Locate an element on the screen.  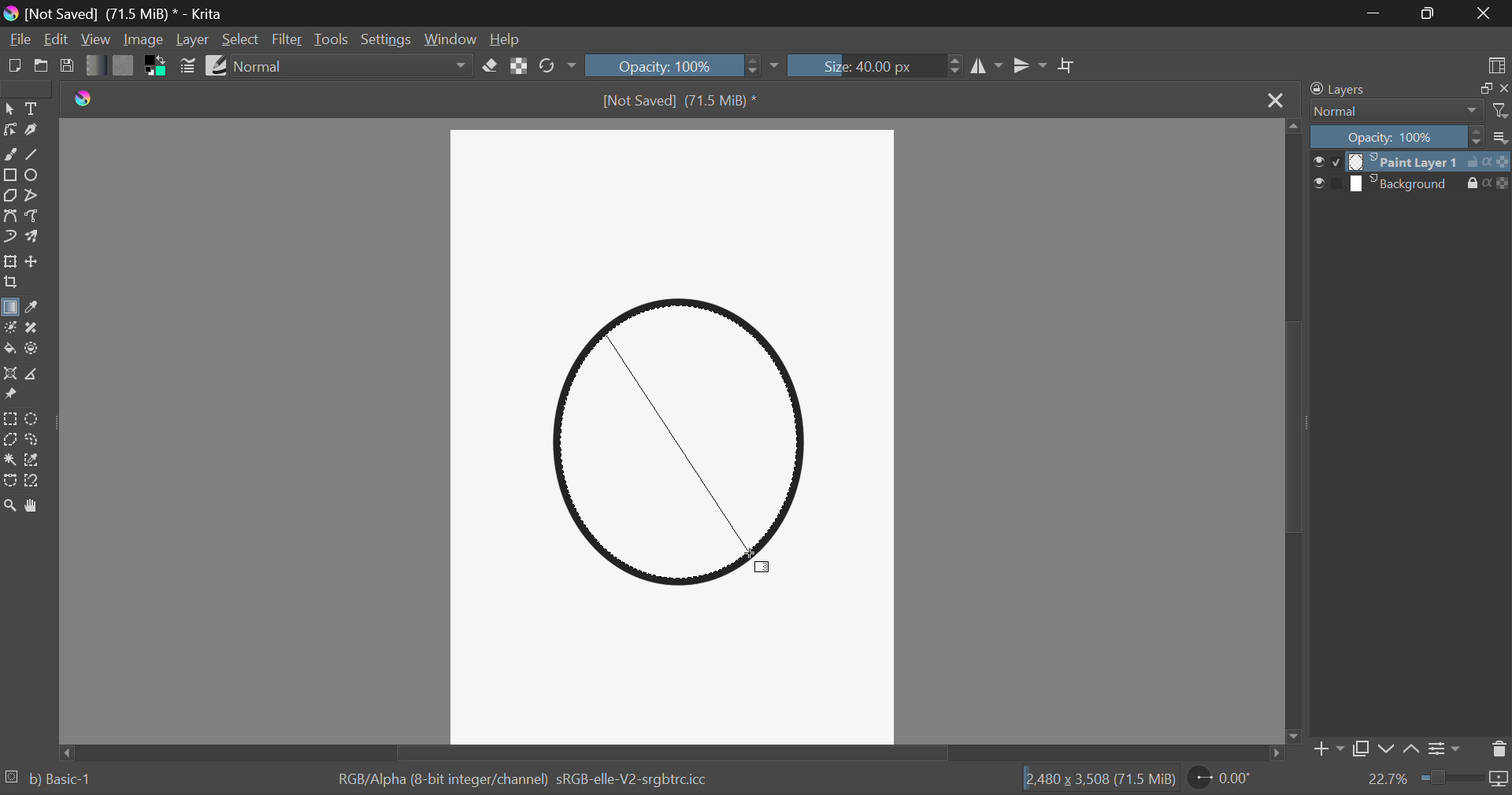
Scroll Bar is located at coordinates (1291, 434).